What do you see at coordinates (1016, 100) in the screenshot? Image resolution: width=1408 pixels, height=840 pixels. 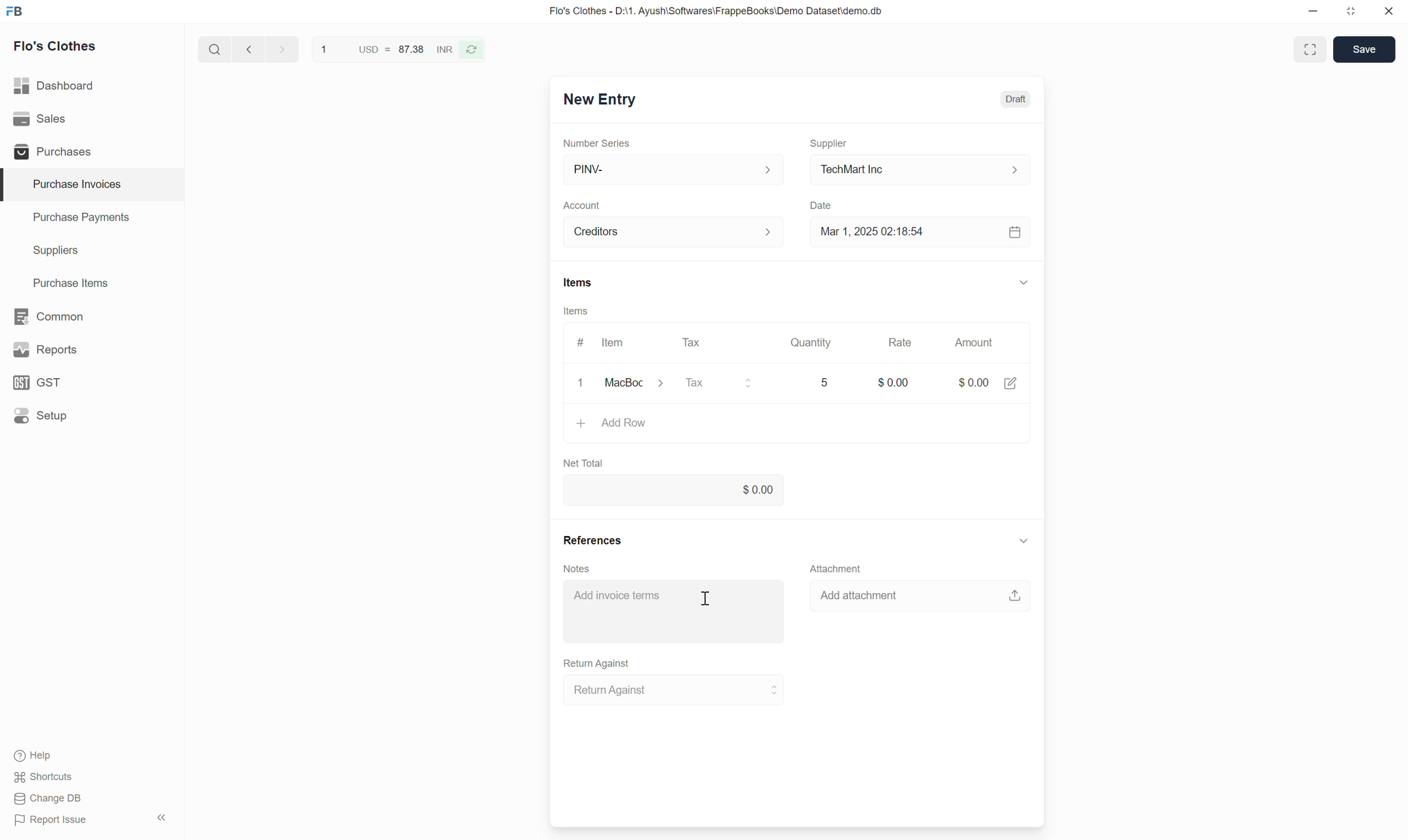 I see `Draft` at bounding box center [1016, 100].